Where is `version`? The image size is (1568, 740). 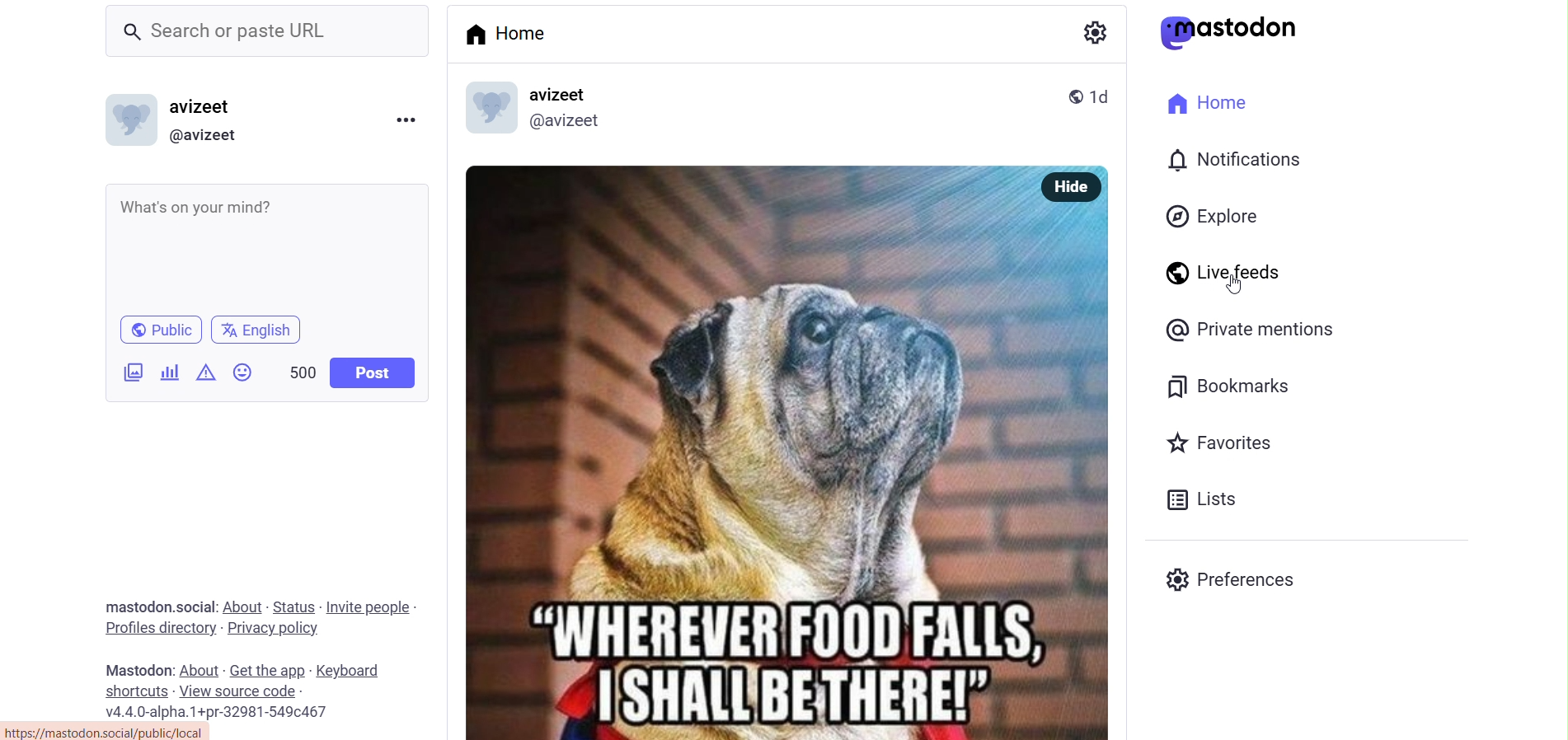
version is located at coordinates (216, 712).